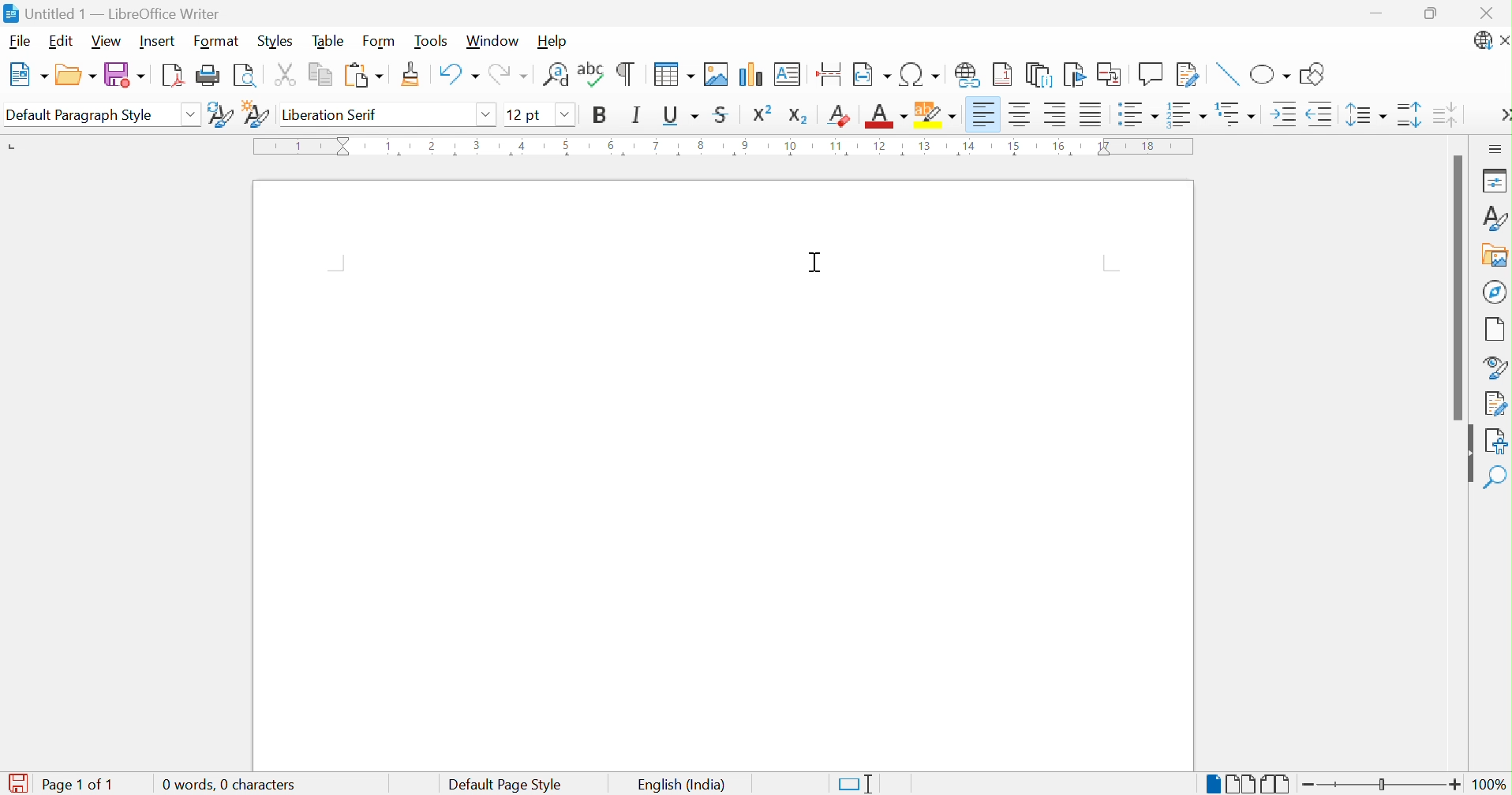 The height and width of the screenshot is (795, 1512). Describe the element at coordinates (1408, 114) in the screenshot. I see `Increase paragraph spacing` at that location.